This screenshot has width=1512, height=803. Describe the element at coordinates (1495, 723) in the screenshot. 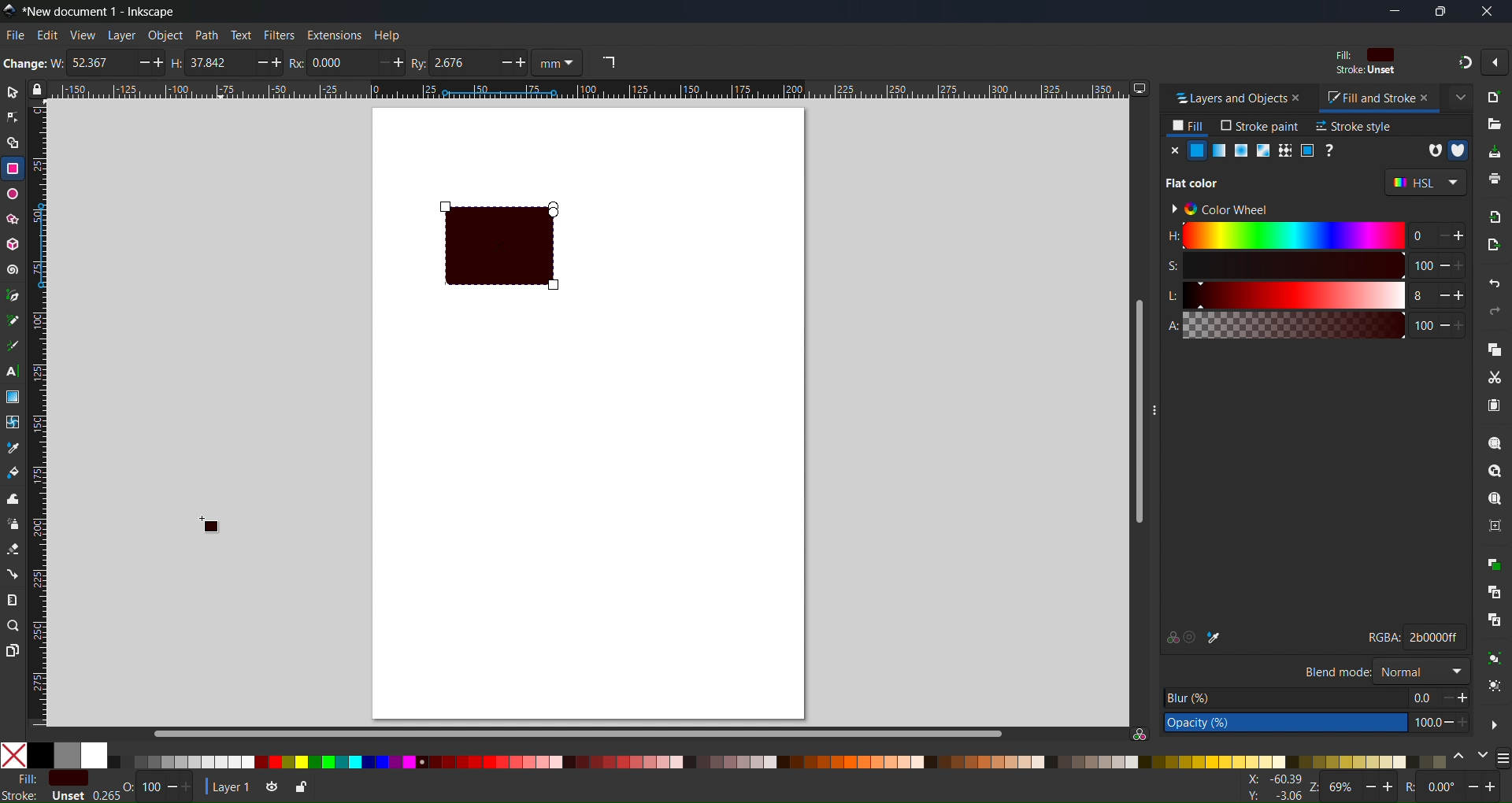

I see `Preferences` at that location.